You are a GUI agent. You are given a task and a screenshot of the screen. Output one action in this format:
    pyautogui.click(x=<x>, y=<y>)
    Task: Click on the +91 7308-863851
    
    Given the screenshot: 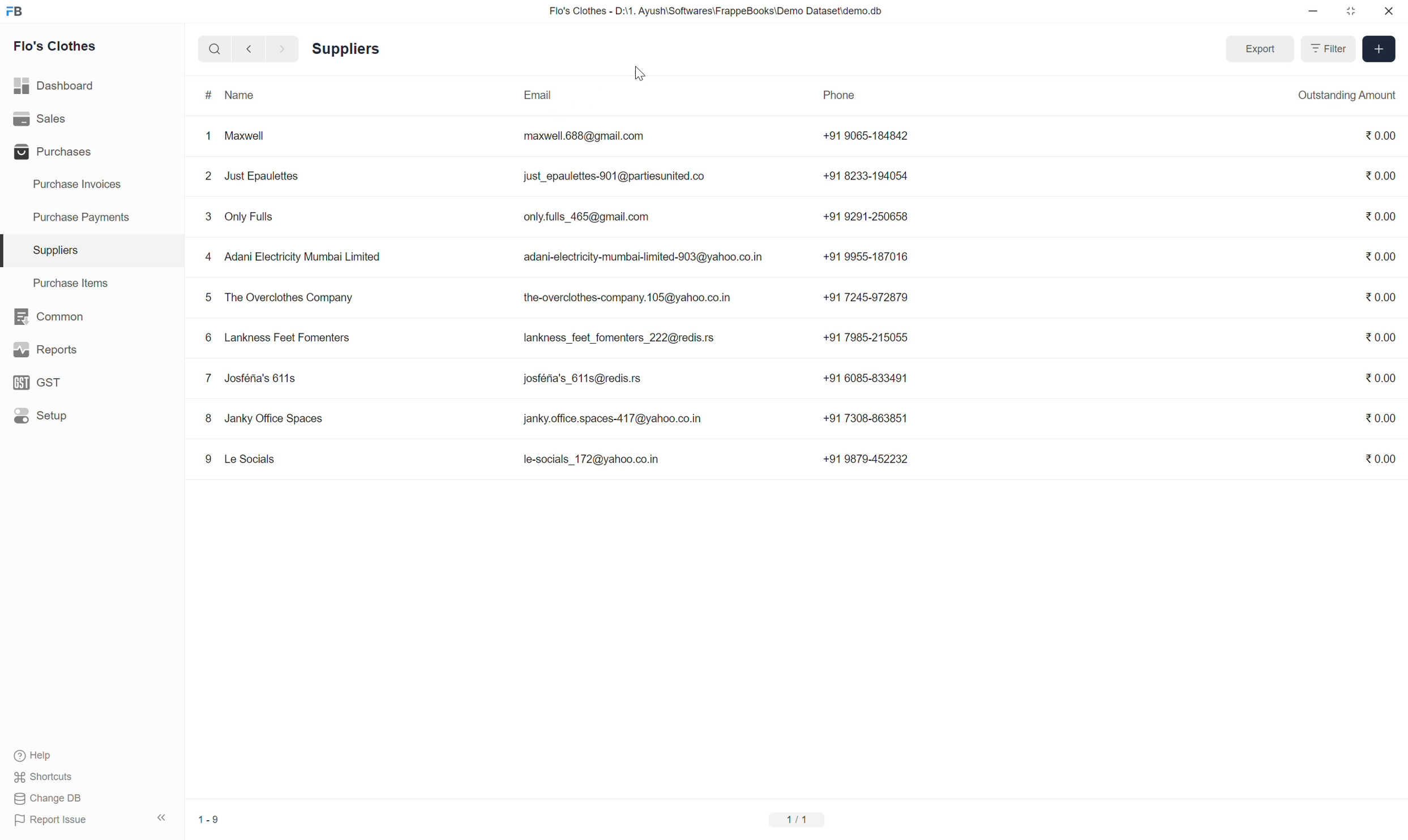 What is the action you would take?
    pyautogui.click(x=866, y=418)
    